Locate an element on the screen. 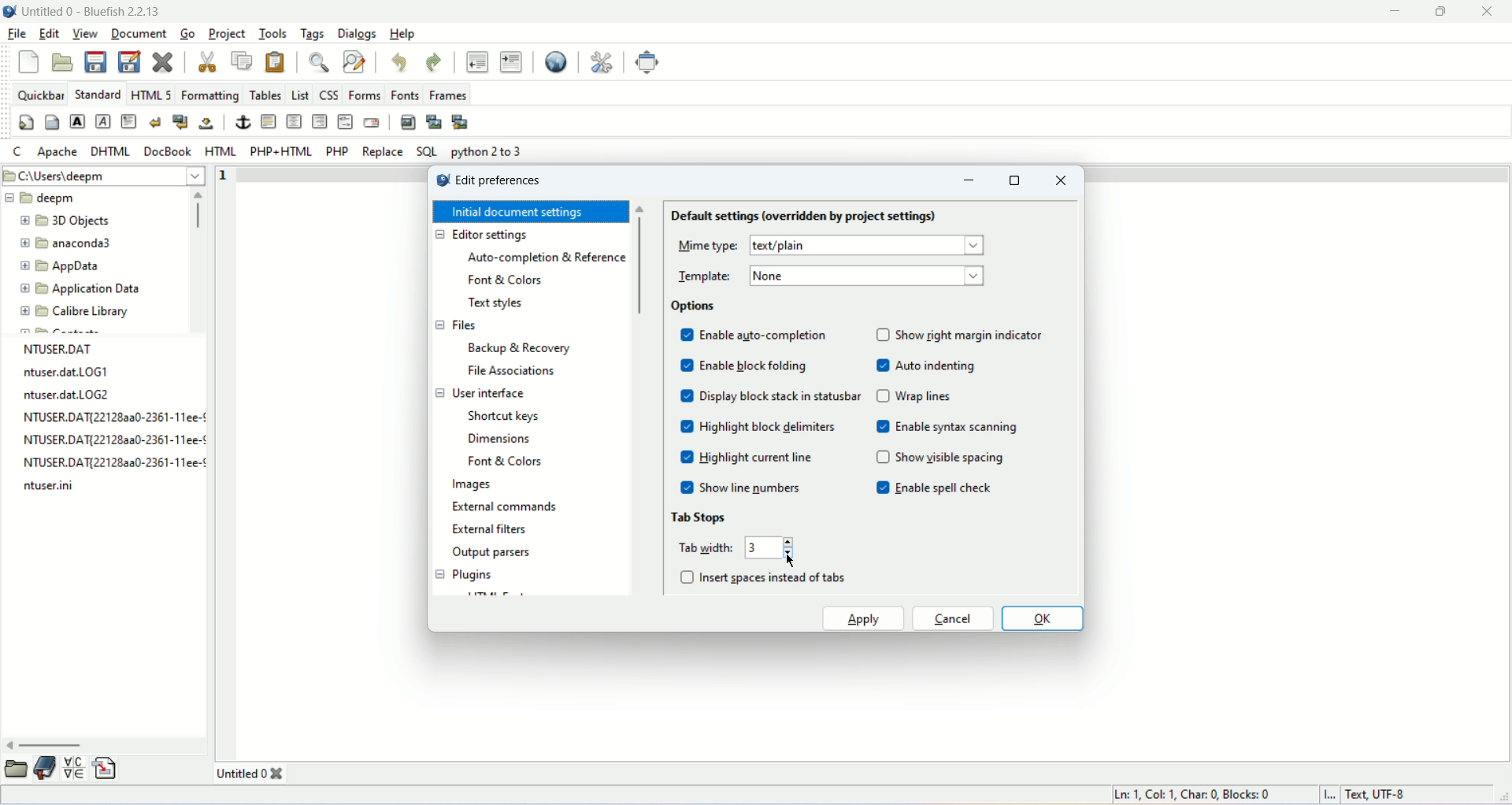 This screenshot has height=805, width=1512. HTML 5 is located at coordinates (153, 95).